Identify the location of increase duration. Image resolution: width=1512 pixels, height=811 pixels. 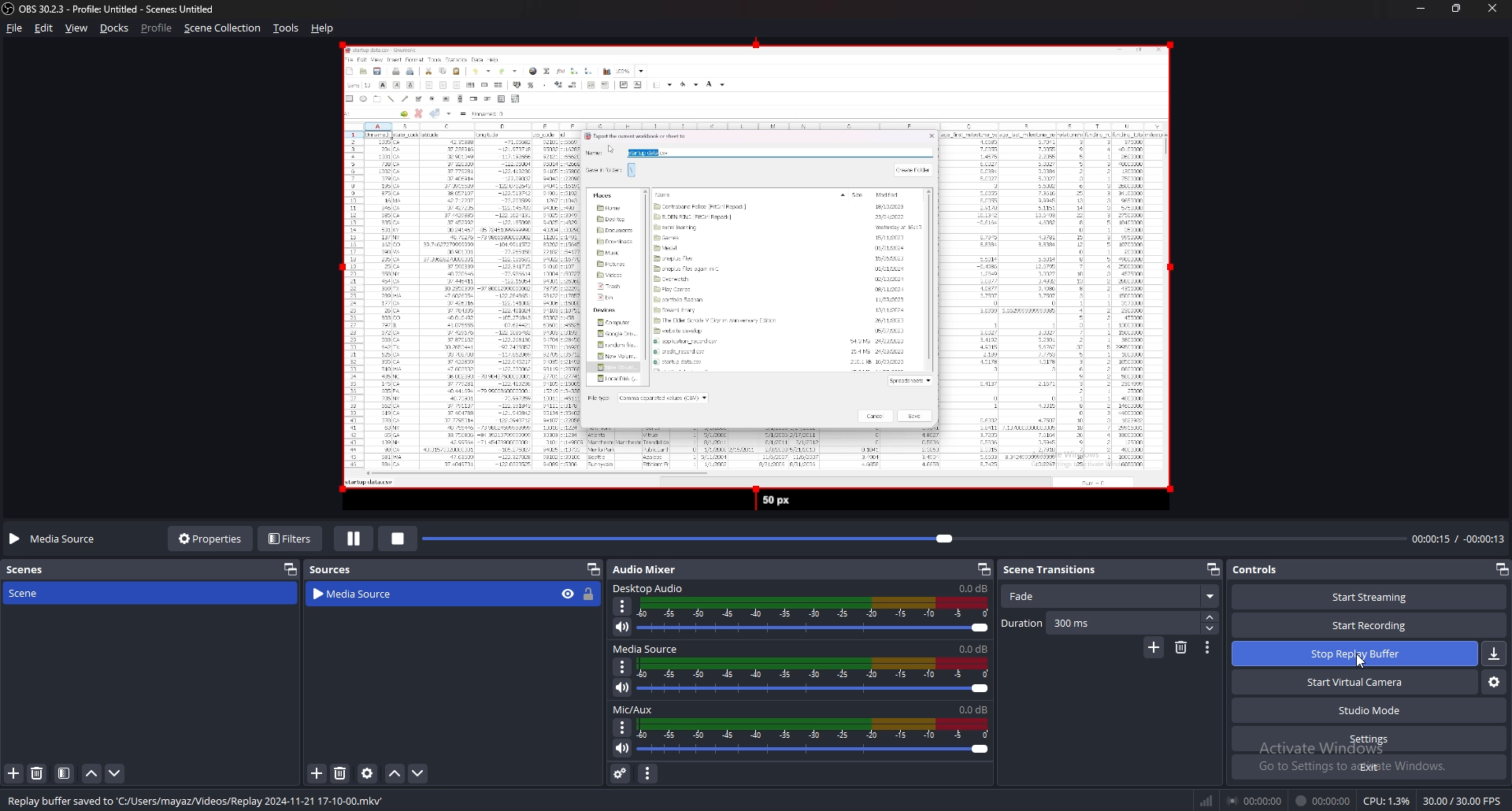
(1212, 617).